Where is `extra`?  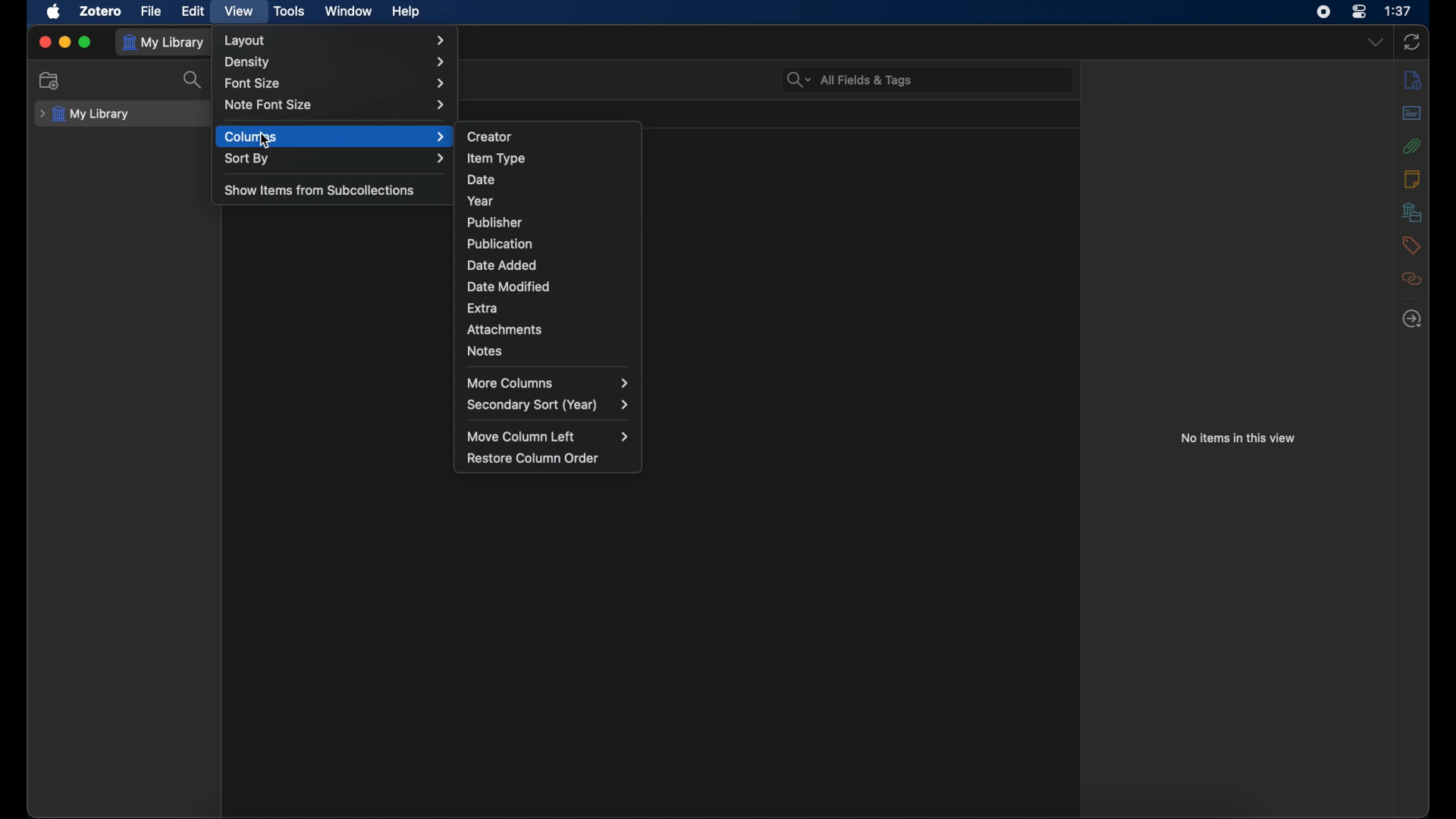
extra is located at coordinates (483, 309).